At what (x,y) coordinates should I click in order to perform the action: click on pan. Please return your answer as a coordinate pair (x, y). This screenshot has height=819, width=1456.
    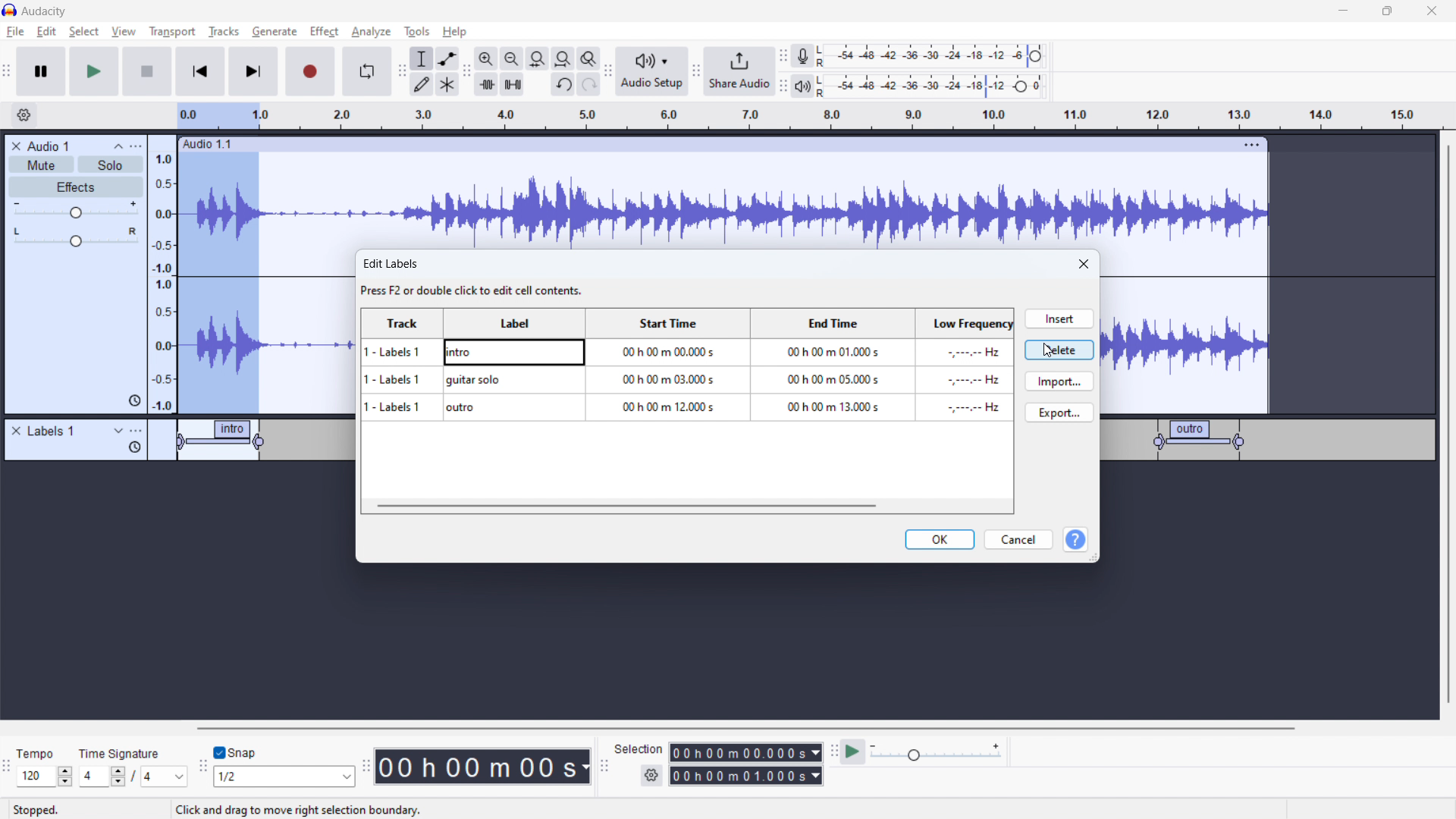
    Looking at the image, I should click on (76, 237).